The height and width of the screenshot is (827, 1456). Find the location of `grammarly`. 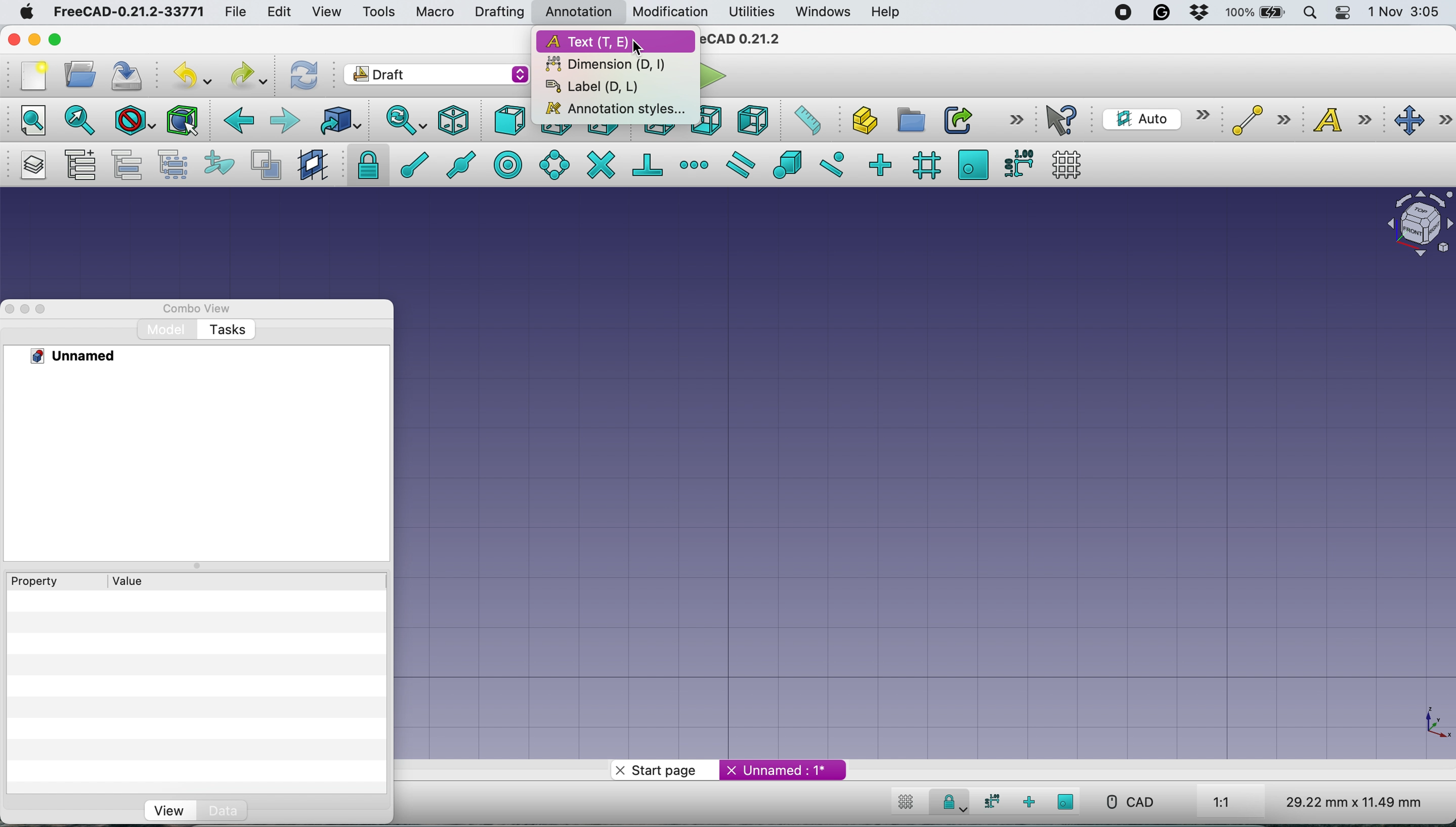

grammarly is located at coordinates (1160, 14).